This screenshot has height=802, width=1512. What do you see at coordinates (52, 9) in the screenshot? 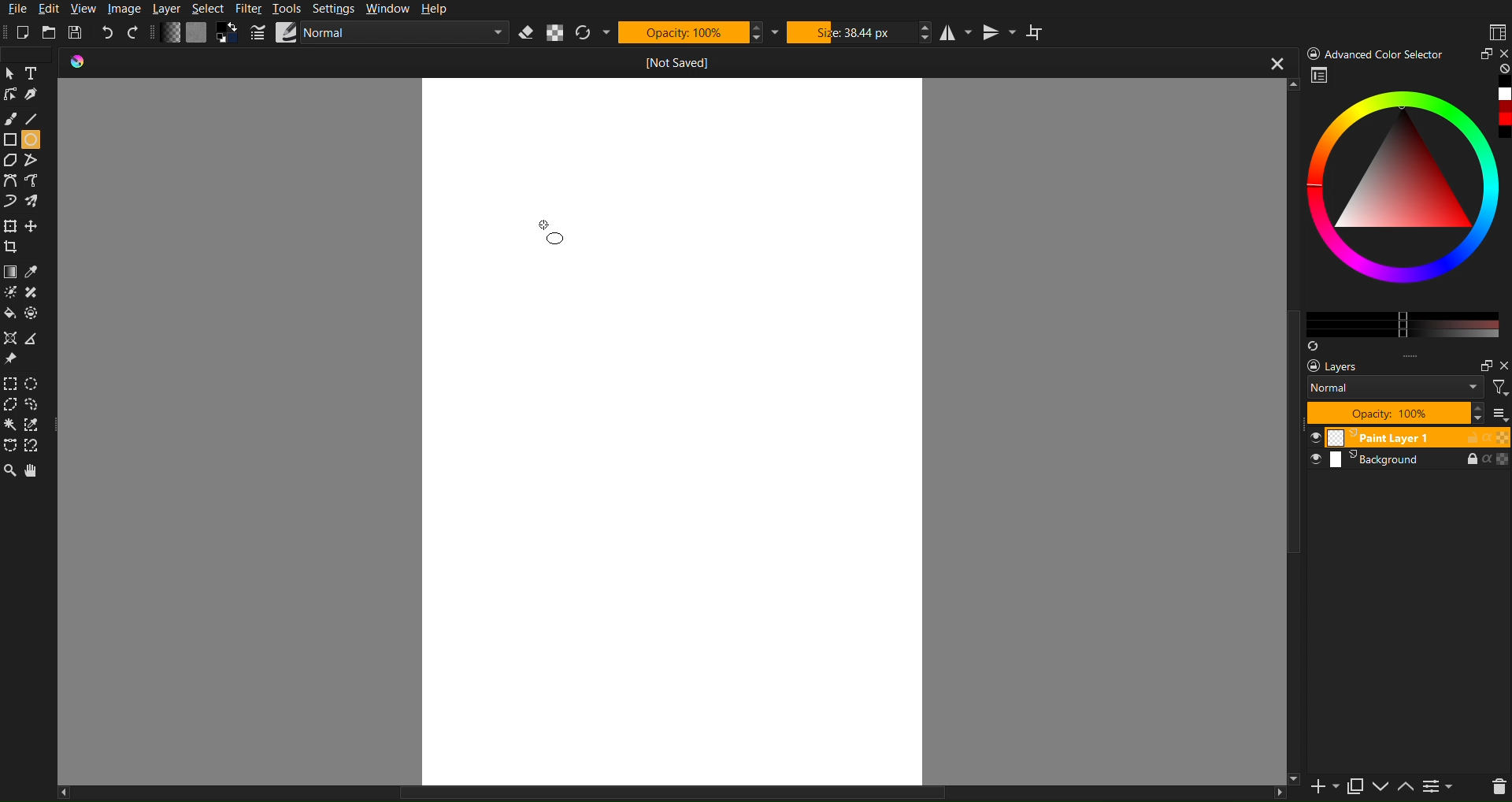
I see `Edit` at bounding box center [52, 9].